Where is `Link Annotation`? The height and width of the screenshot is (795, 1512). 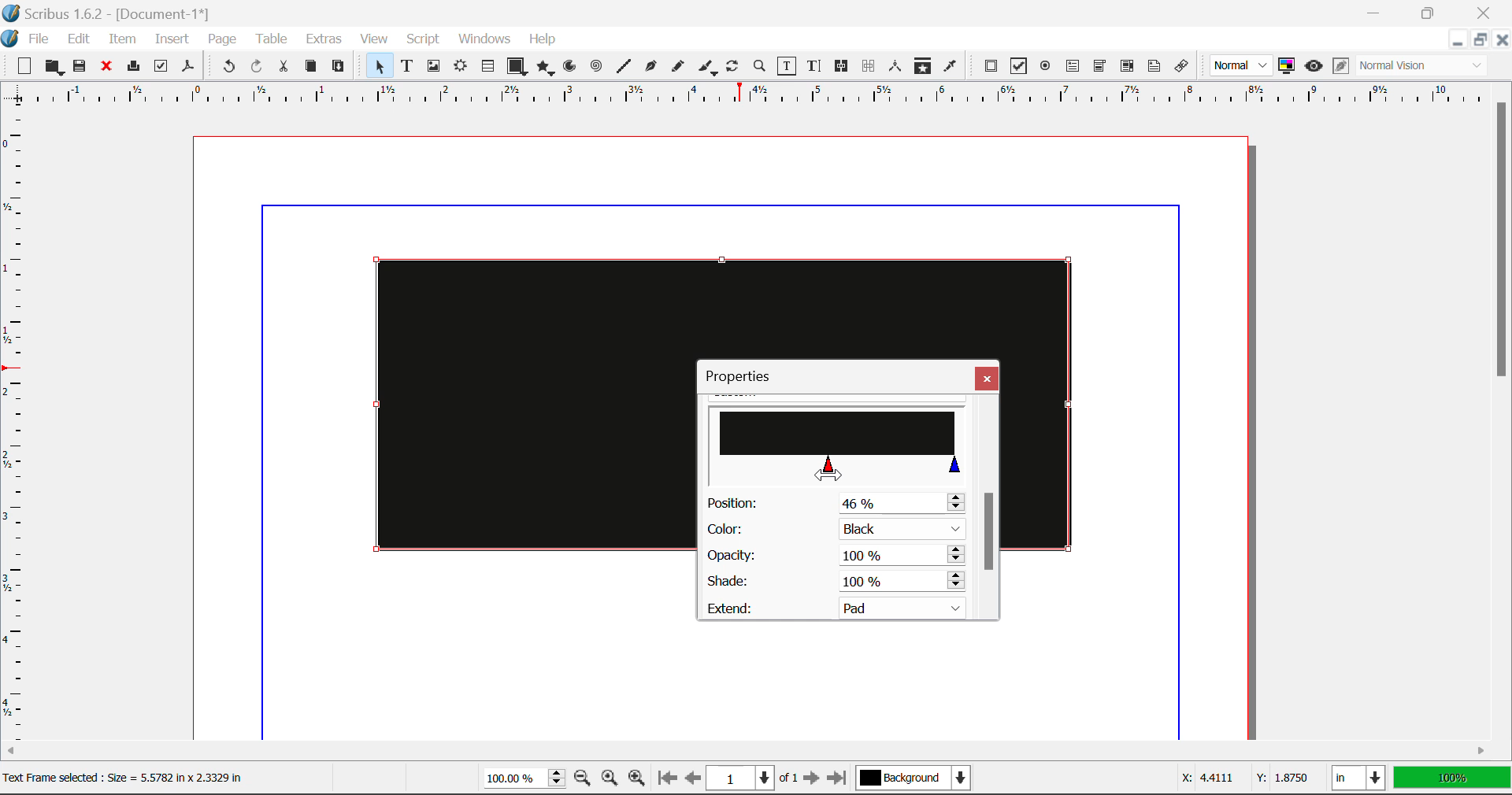
Link Annotation is located at coordinates (1185, 67).